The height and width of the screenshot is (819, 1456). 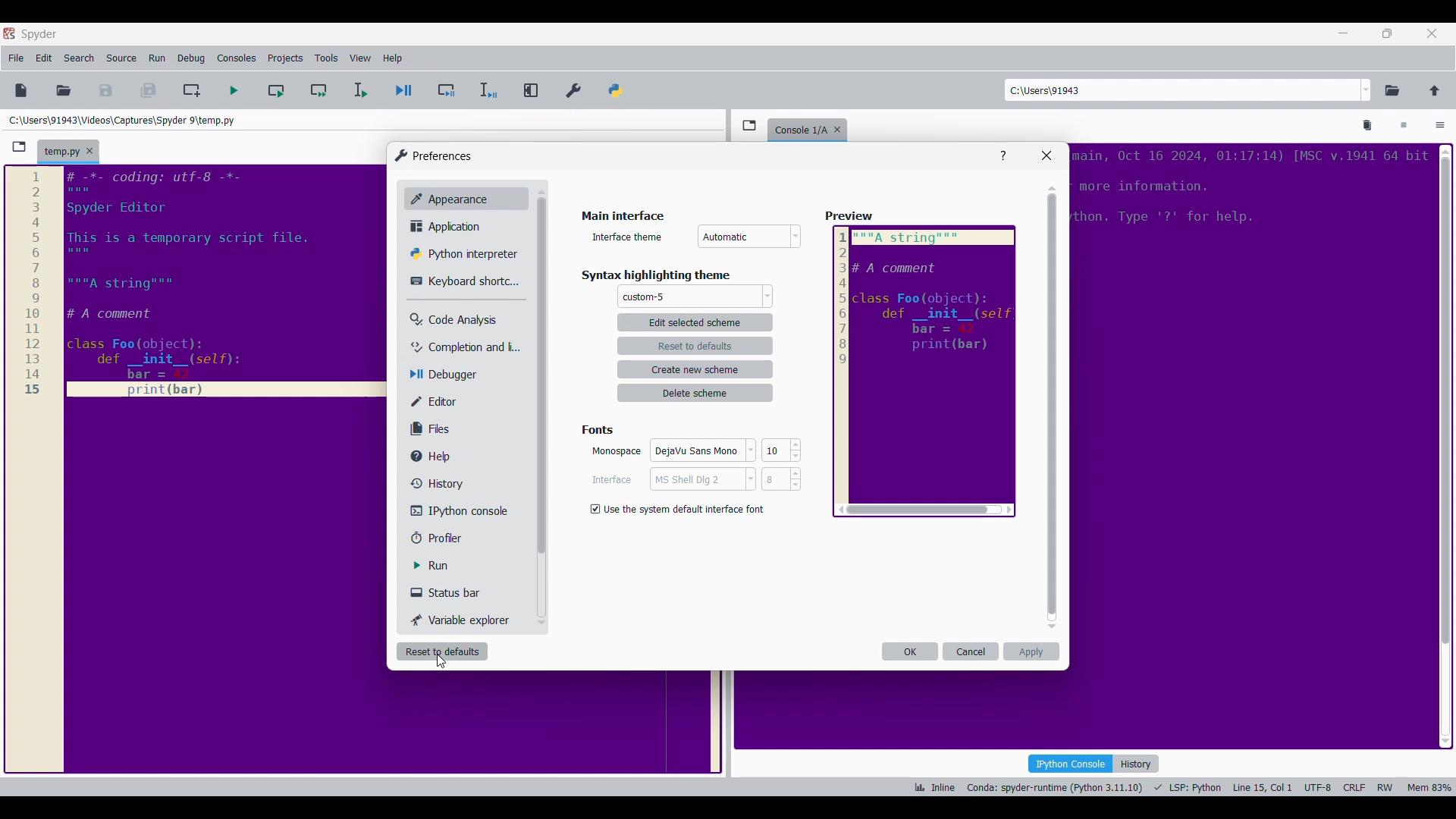 What do you see at coordinates (971, 651) in the screenshot?
I see `Cancel` at bounding box center [971, 651].